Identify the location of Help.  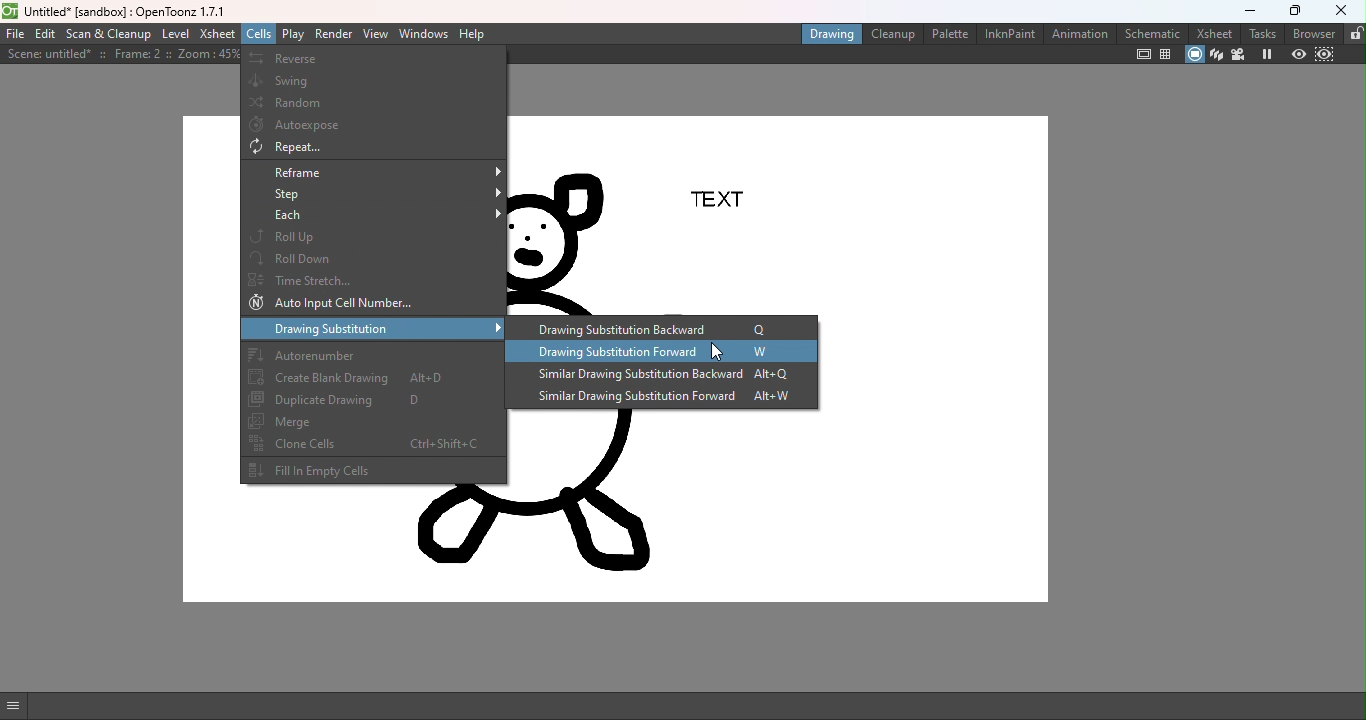
(476, 34).